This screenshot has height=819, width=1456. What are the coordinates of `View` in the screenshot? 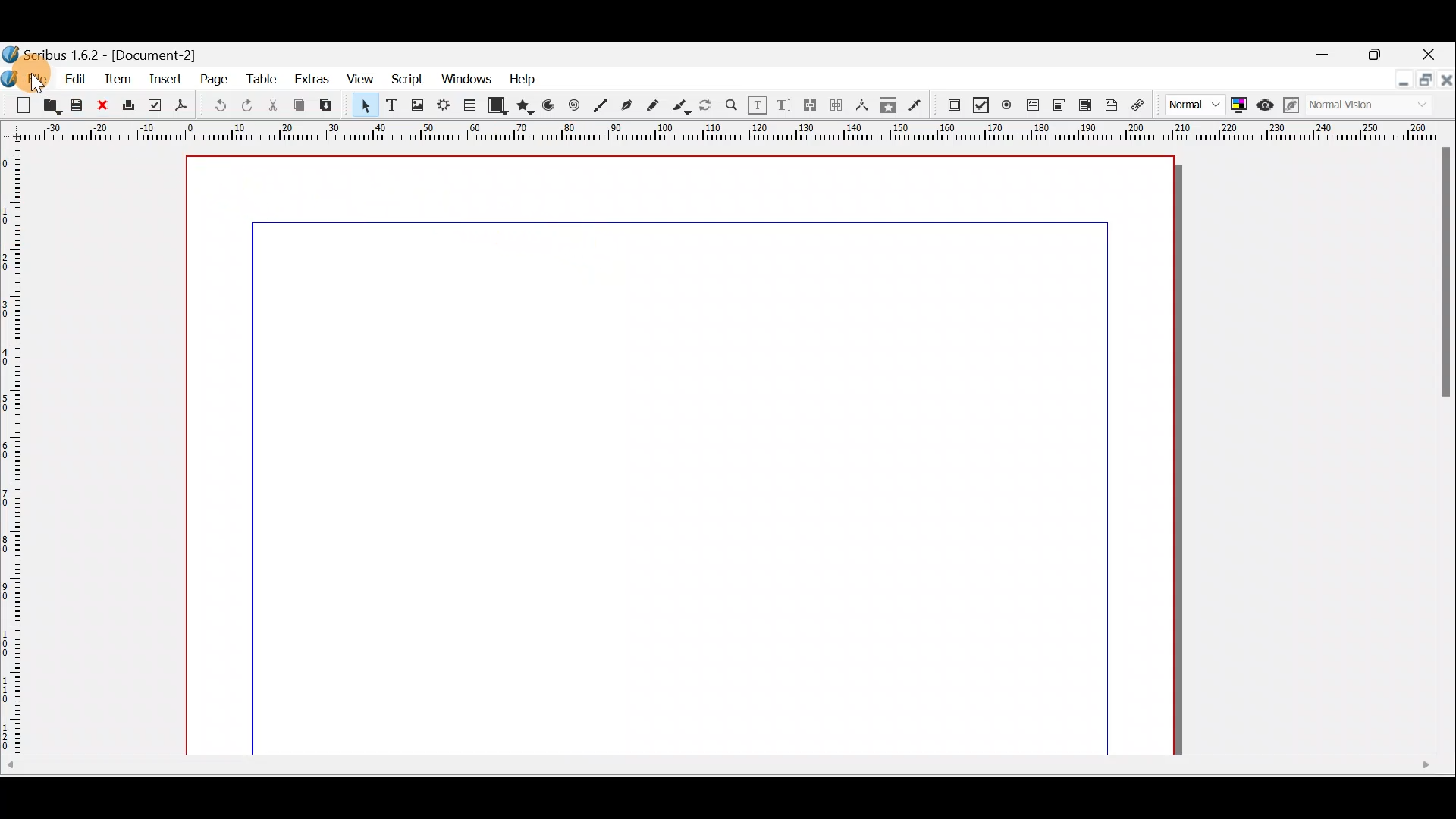 It's located at (359, 80).